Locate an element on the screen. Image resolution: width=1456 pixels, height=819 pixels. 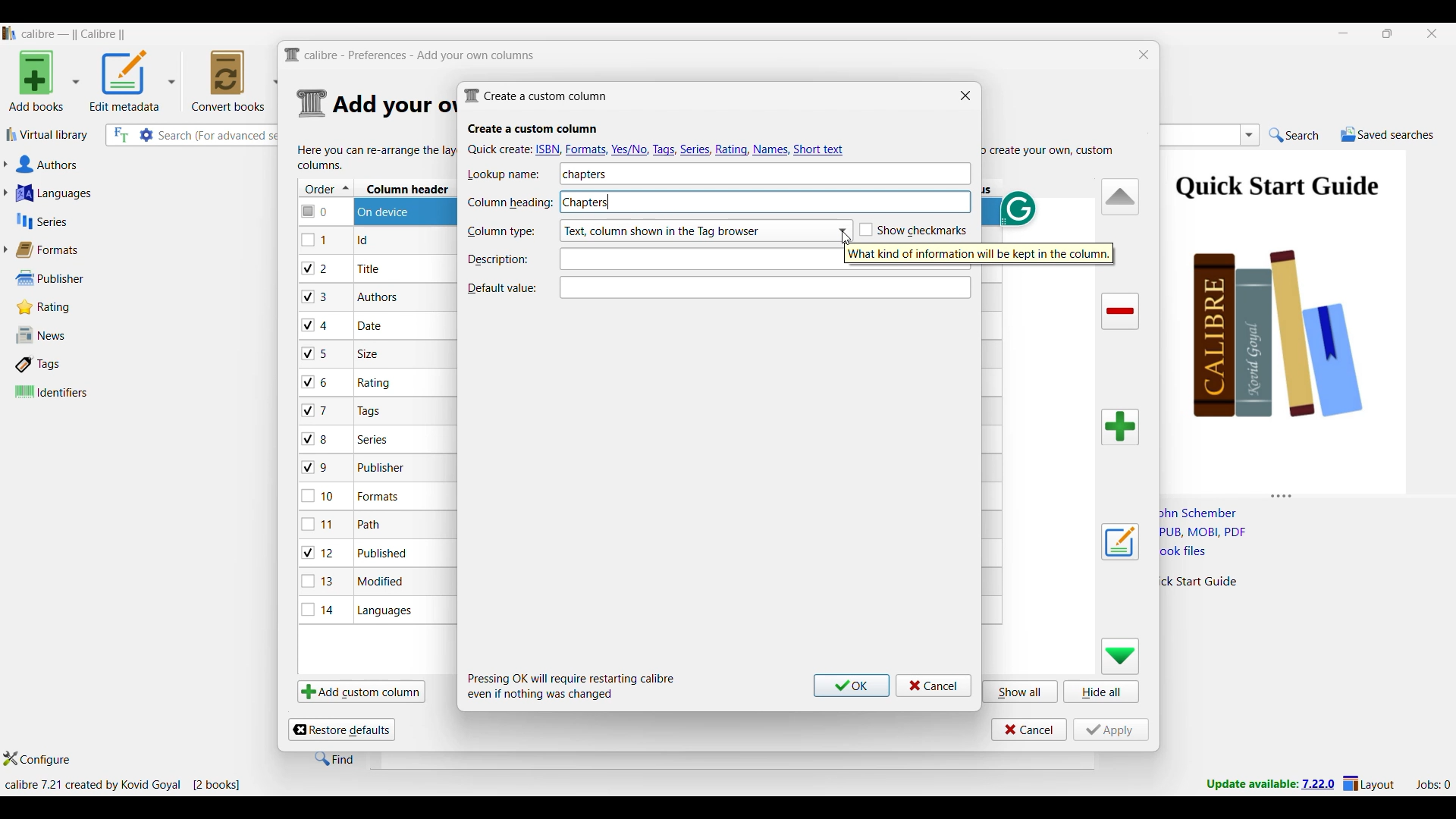
Window name is located at coordinates (535, 96).